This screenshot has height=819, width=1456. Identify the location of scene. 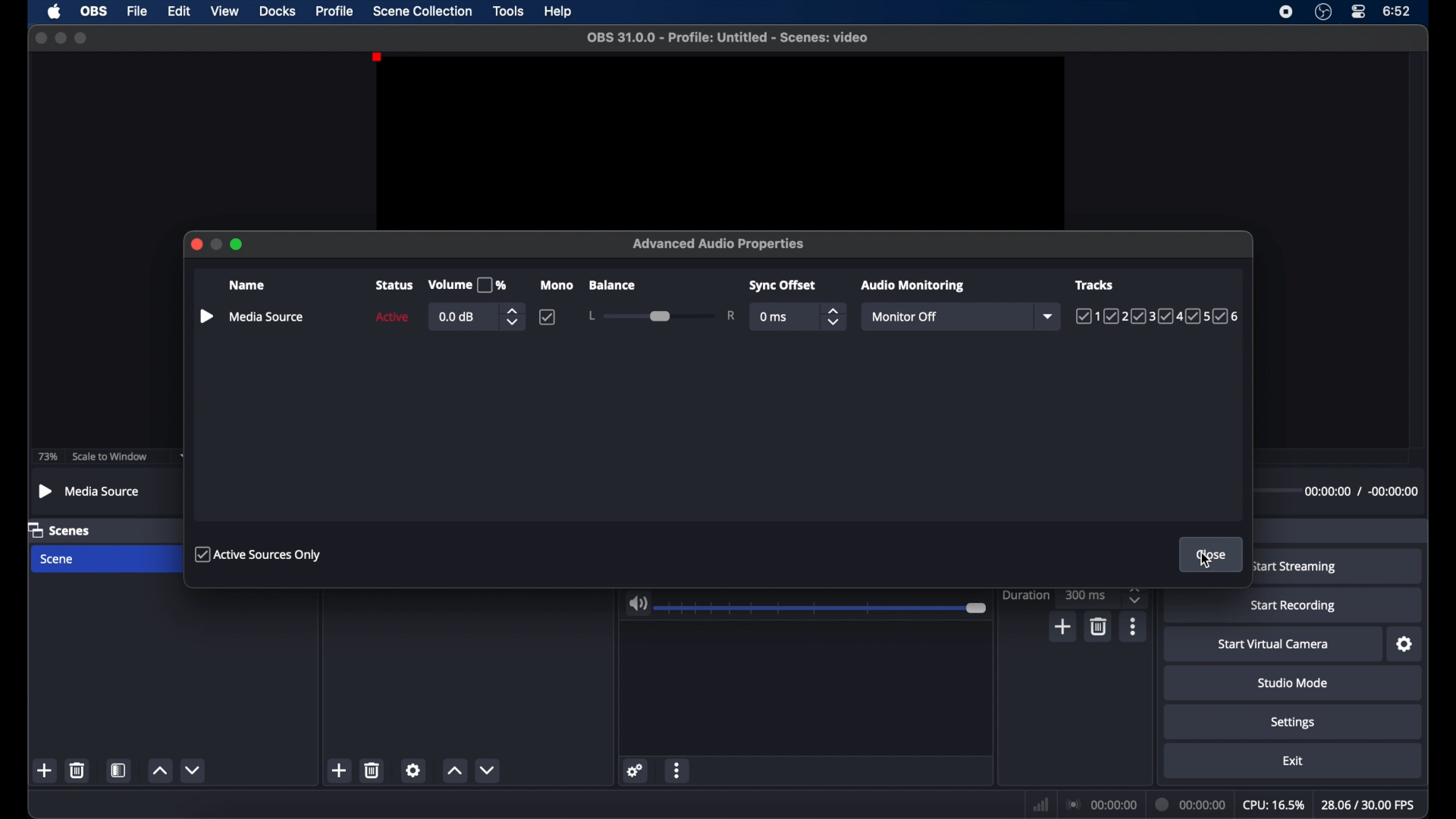
(58, 559).